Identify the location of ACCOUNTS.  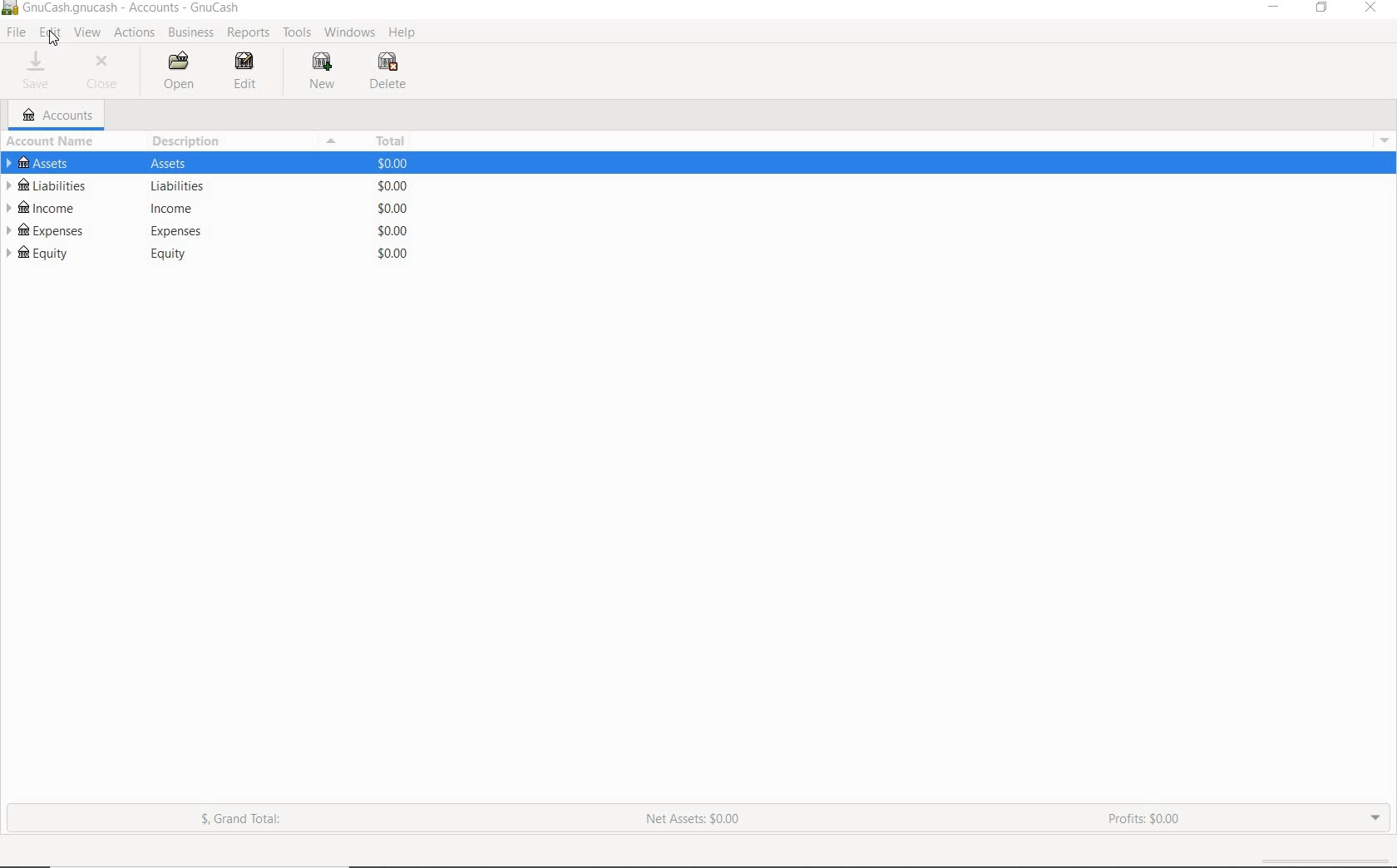
(62, 114).